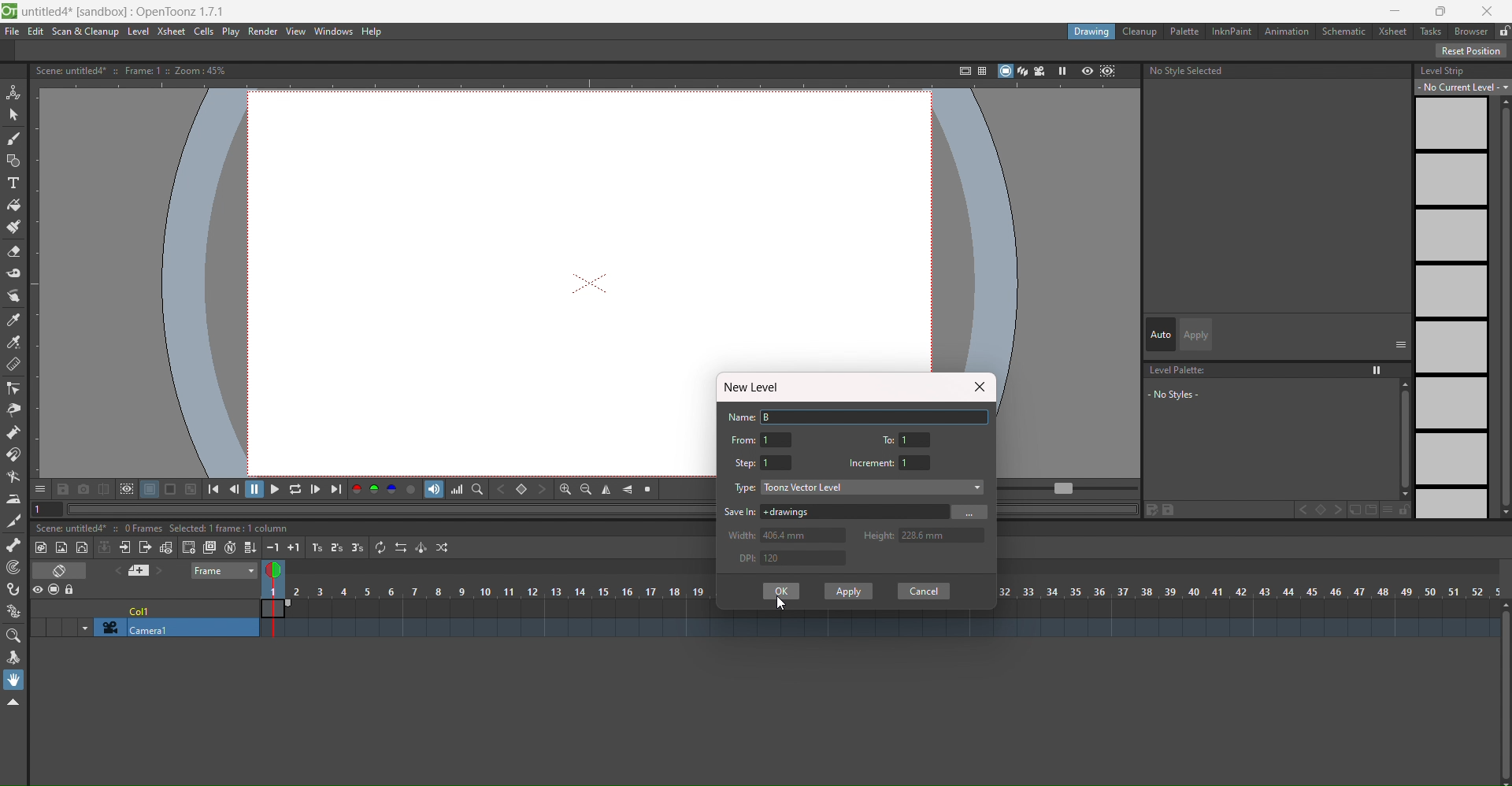 This screenshot has height=786, width=1512. What do you see at coordinates (295, 488) in the screenshot?
I see `loop` at bounding box center [295, 488].